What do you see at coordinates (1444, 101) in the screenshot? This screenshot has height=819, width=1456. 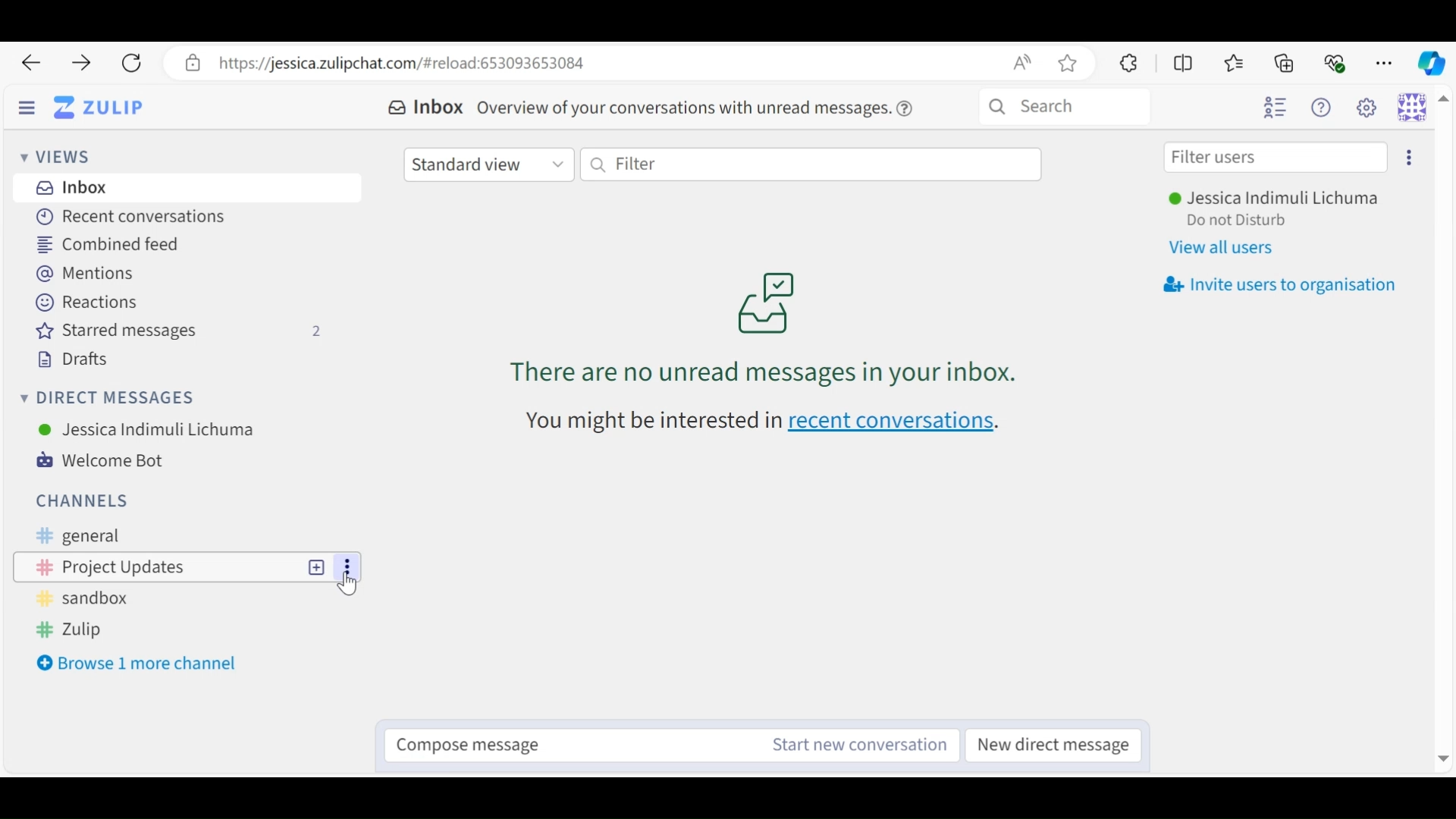 I see `Up` at bounding box center [1444, 101].